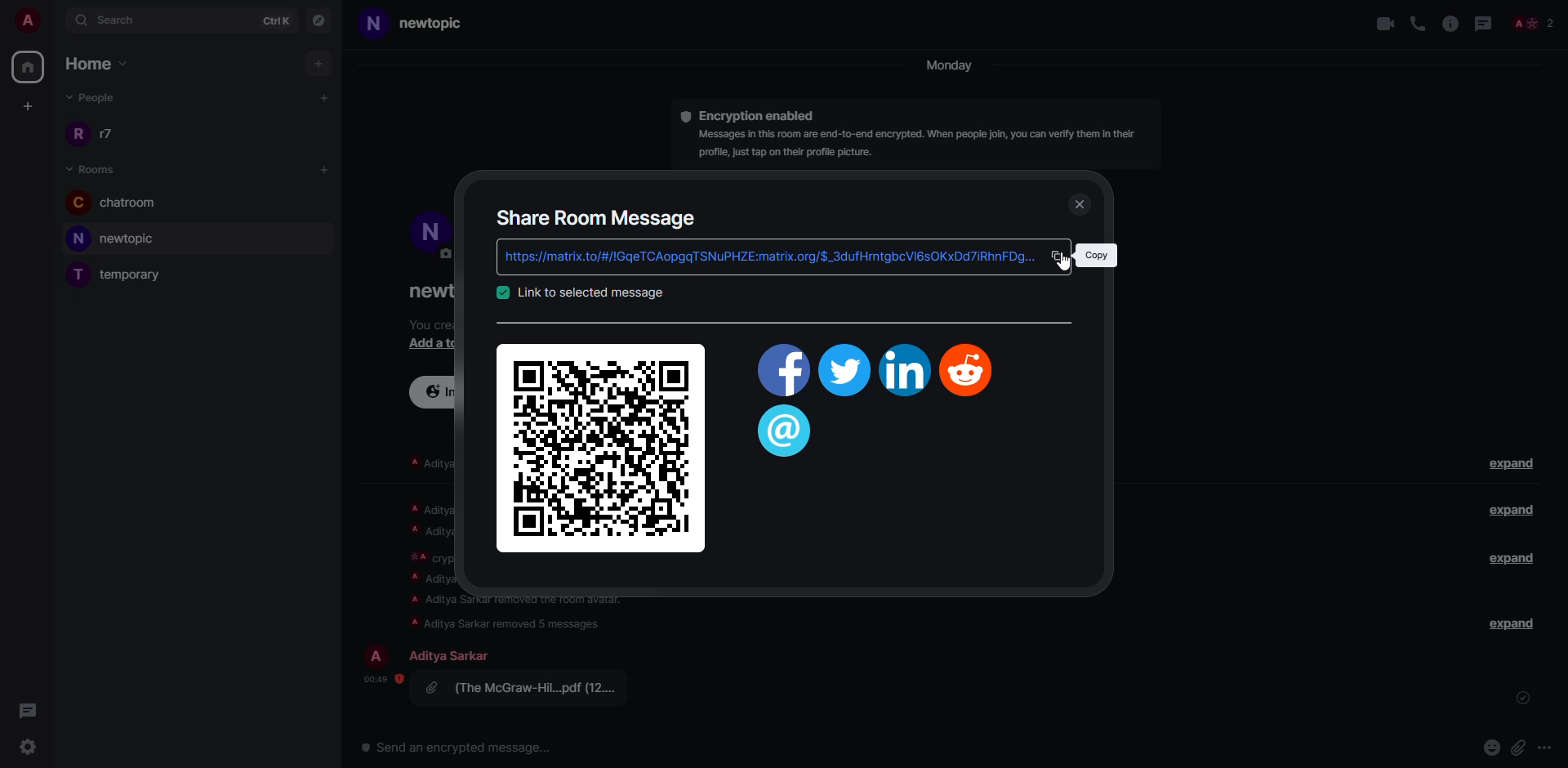 The width and height of the screenshot is (1568, 768). What do you see at coordinates (914, 145) in the screenshot?
I see `Messages in this room are end-to-end encrypted. When people join, you can verify them In their
profile, just tap on their profile picture.` at bounding box center [914, 145].